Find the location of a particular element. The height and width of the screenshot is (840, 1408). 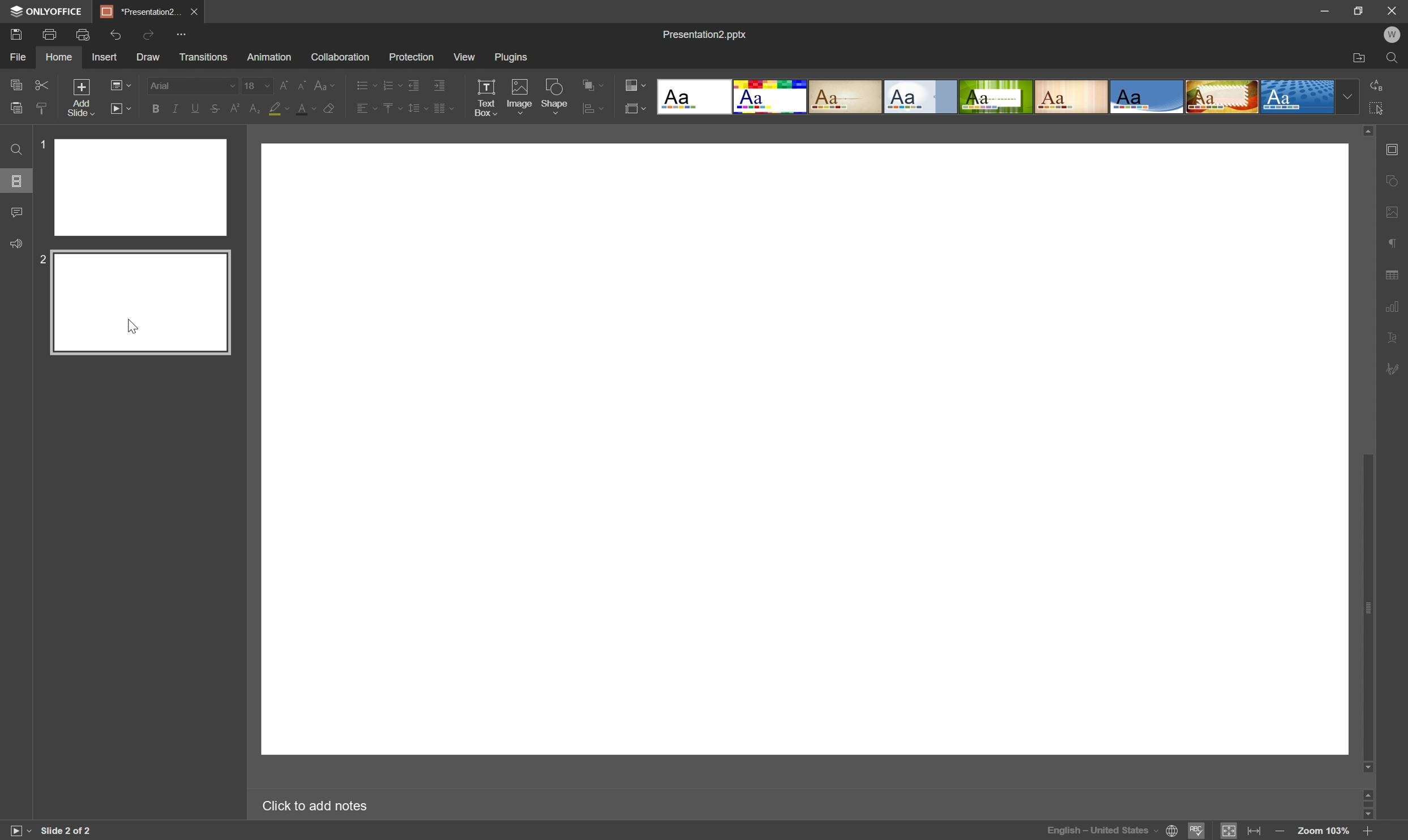

Signature settings is located at coordinates (1397, 368).